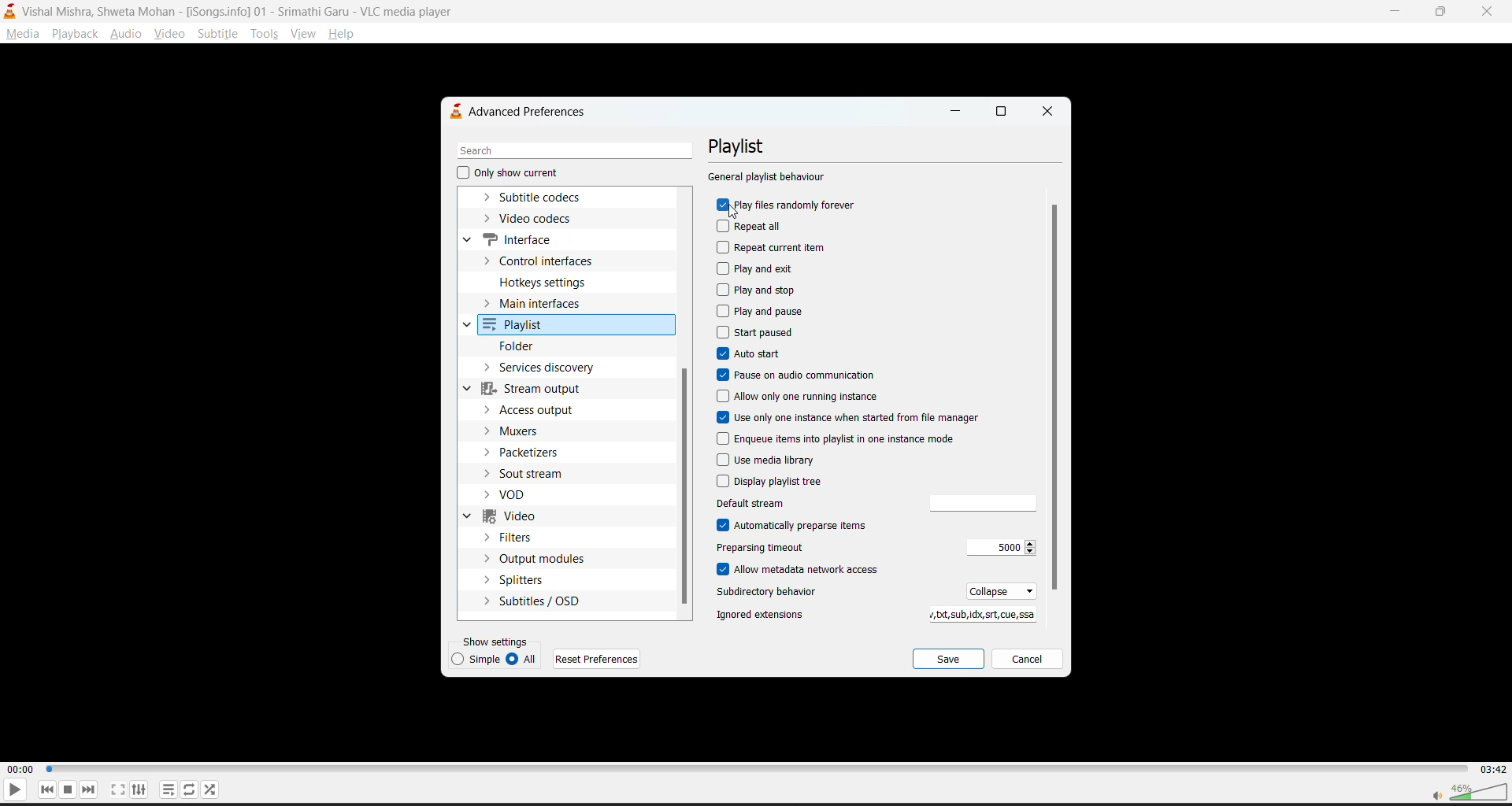 This screenshot has height=806, width=1512. Describe the element at coordinates (184, 786) in the screenshot. I see `loop` at that location.